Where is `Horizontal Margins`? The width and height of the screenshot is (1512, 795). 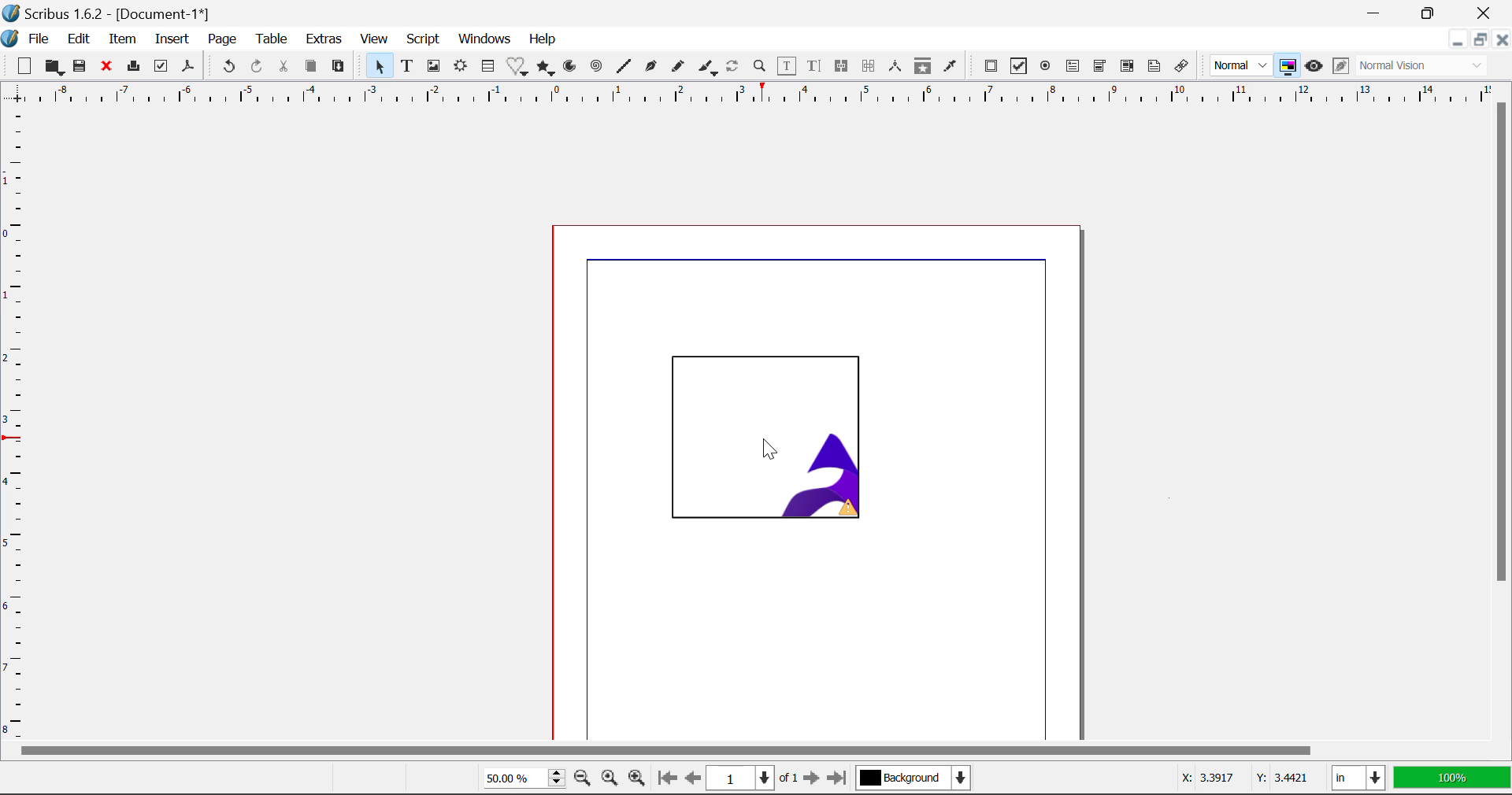
Horizontal Margins is located at coordinates (14, 427).